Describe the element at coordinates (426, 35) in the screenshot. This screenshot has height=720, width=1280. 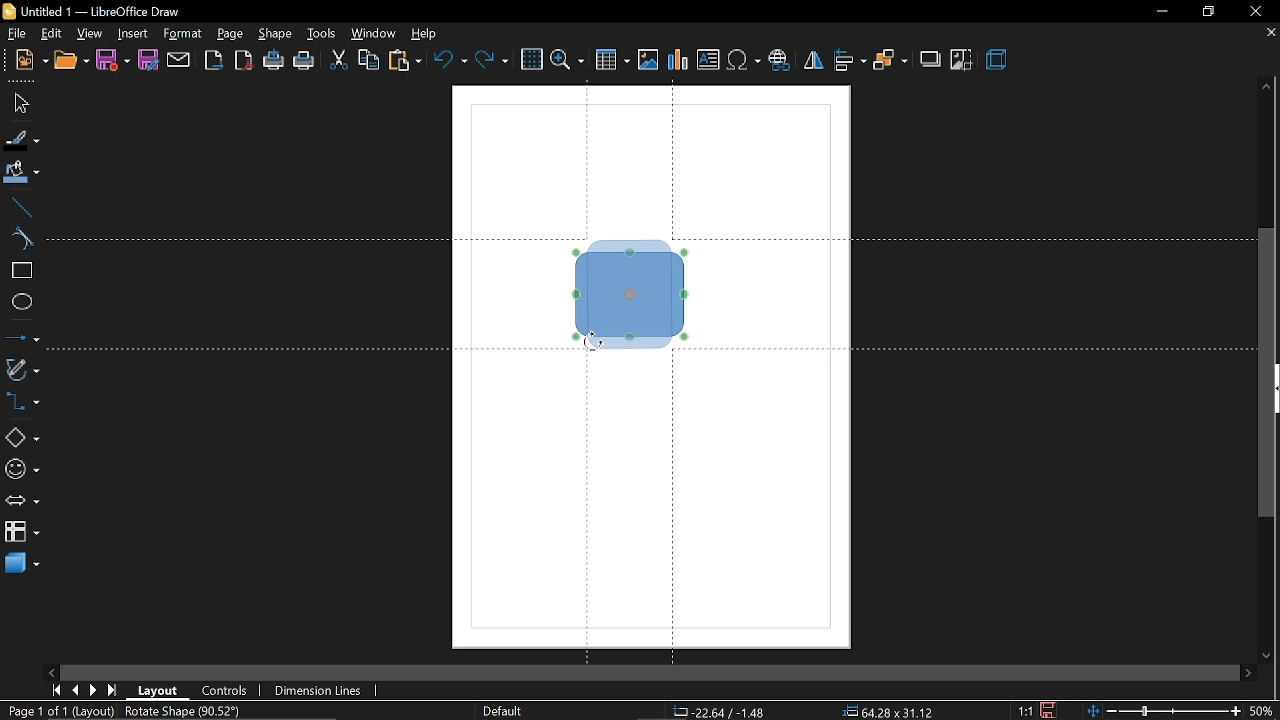
I see `help` at that location.